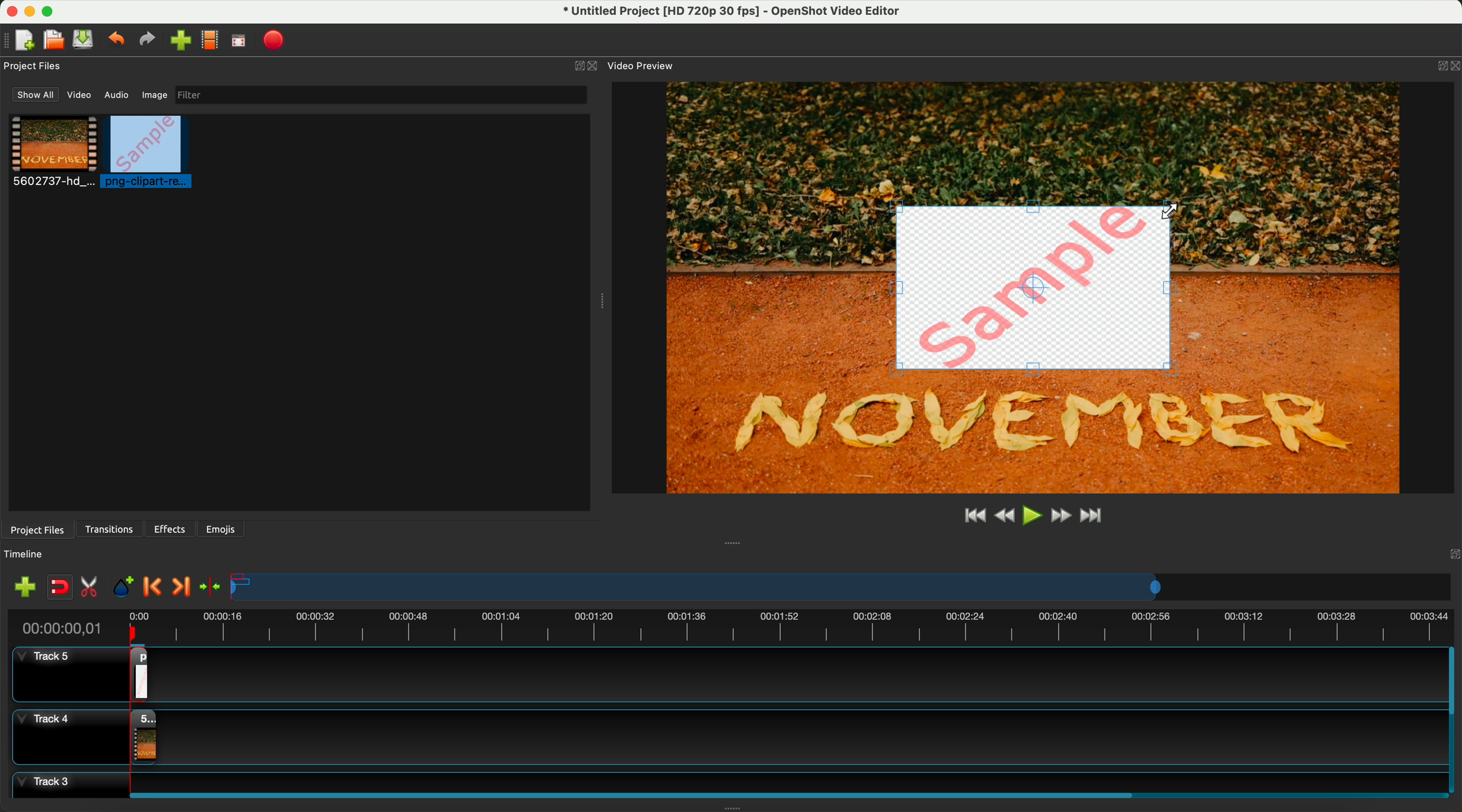 This screenshot has height=812, width=1462. What do you see at coordinates (842, 588) in the screenshot?
I see `timeline` at bounding box center [842, 588].